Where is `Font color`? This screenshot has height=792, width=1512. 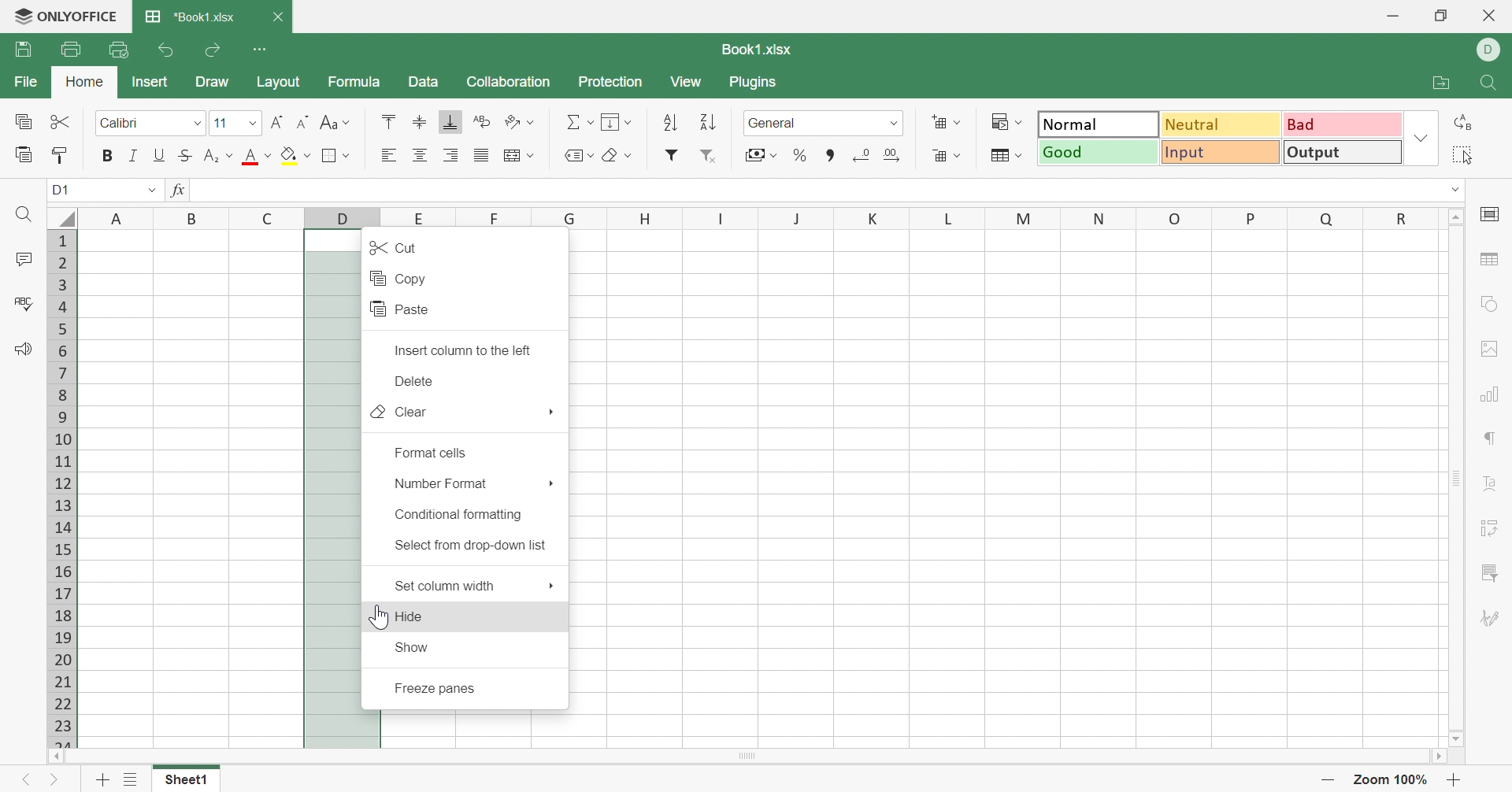
Font color is located at coordinates (253, 156).